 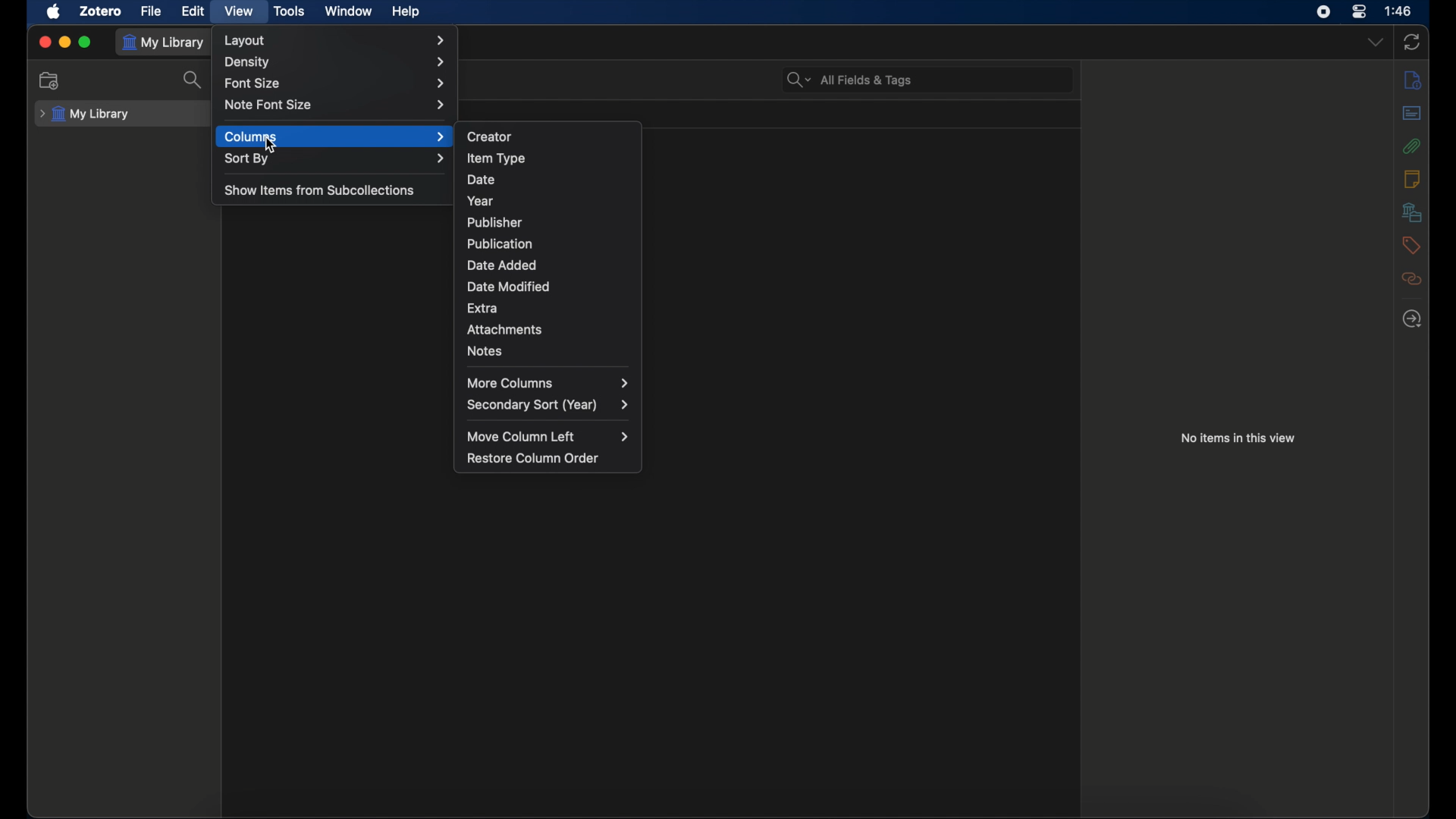 What do you see at coordinates (1410, 278) in the screenshot?
I see `related` at bounding box center [1410, 278].